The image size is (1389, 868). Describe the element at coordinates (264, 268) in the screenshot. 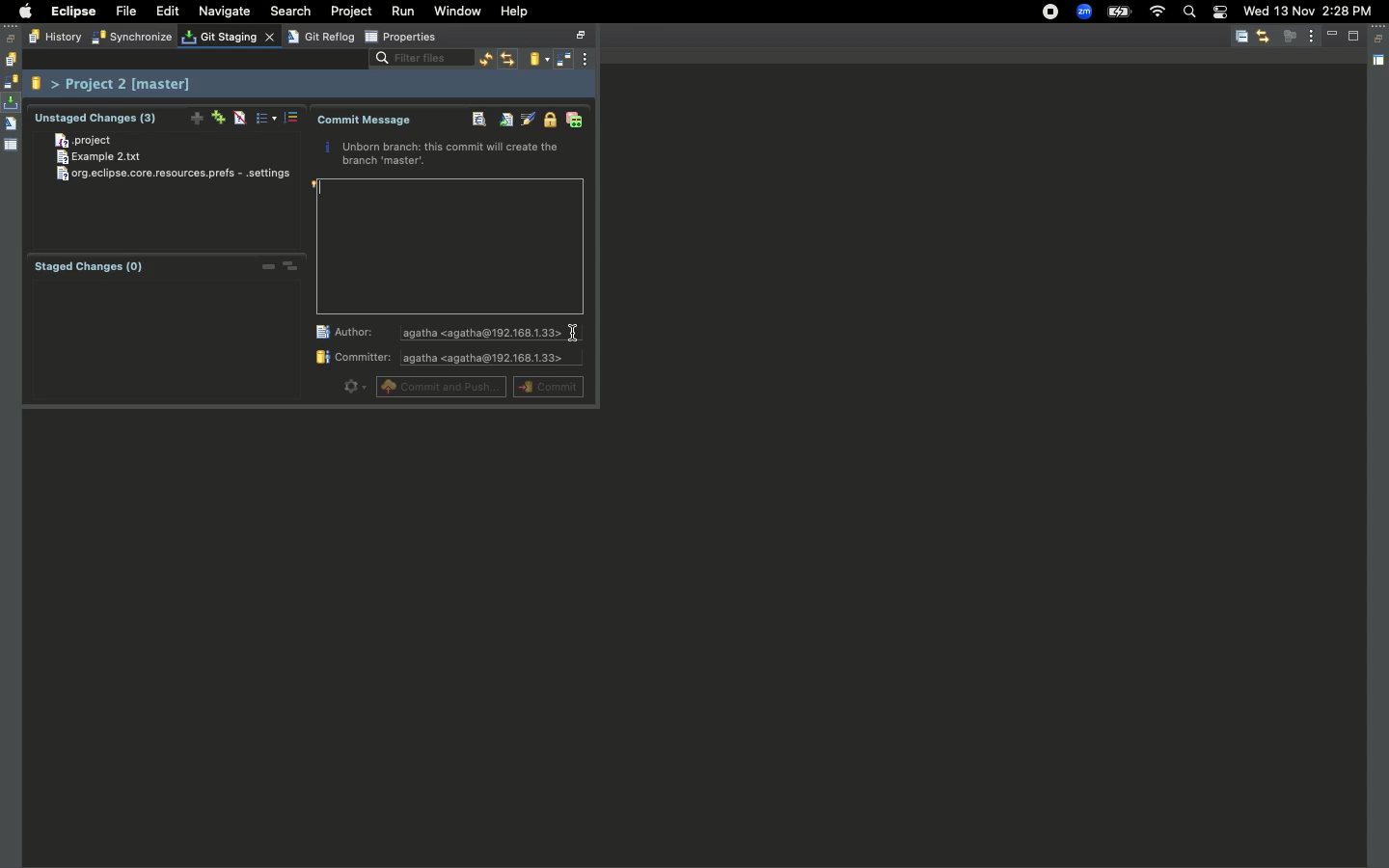

I see `Remove selected files` at that location.